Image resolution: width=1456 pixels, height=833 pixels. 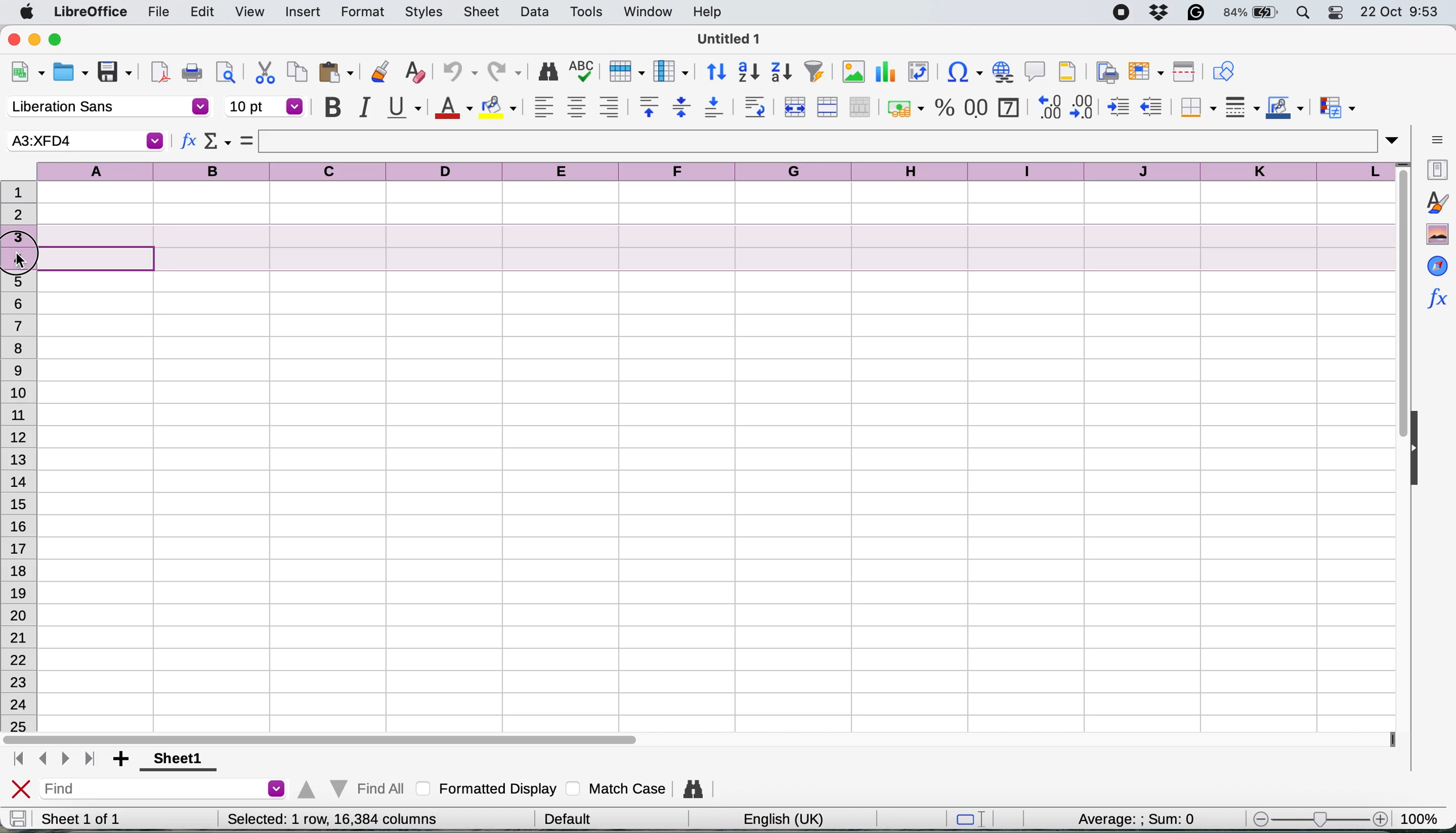 I want to click on formula bar, so click(x=830, y=141).